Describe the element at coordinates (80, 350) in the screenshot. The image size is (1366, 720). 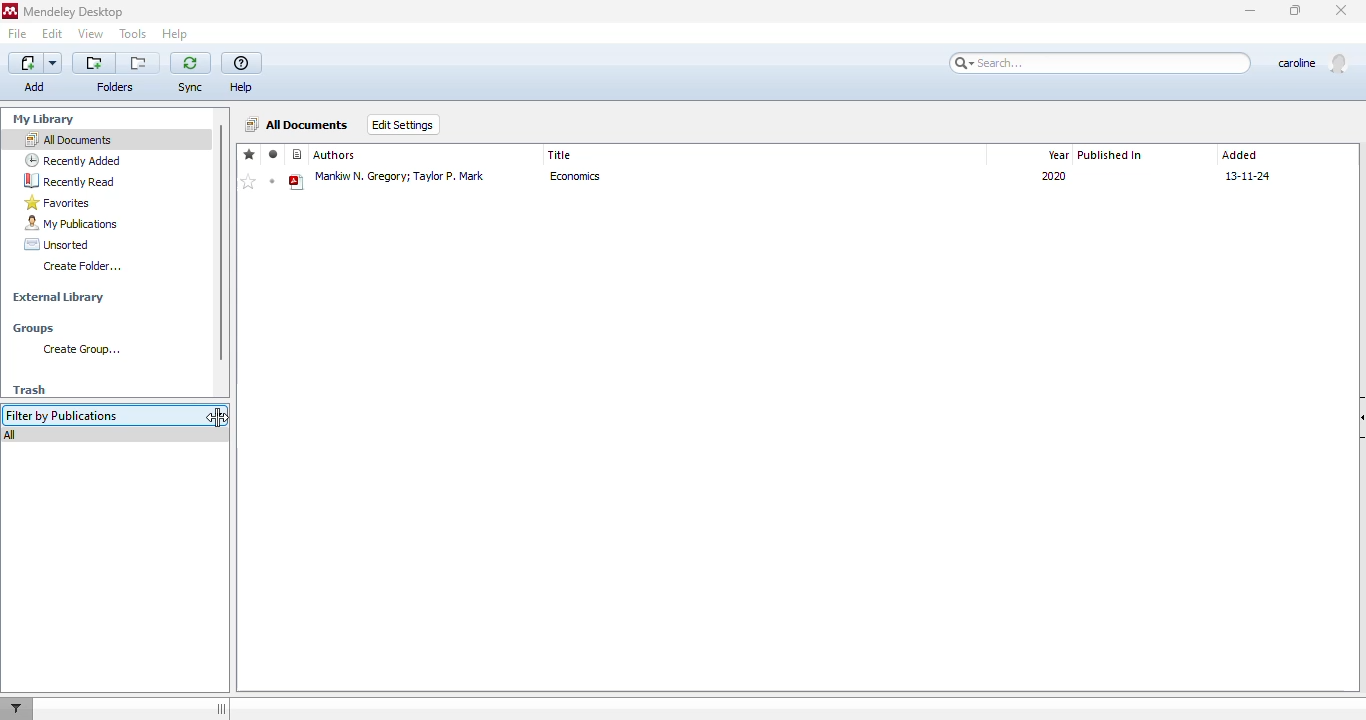
I see `create group` at that location.